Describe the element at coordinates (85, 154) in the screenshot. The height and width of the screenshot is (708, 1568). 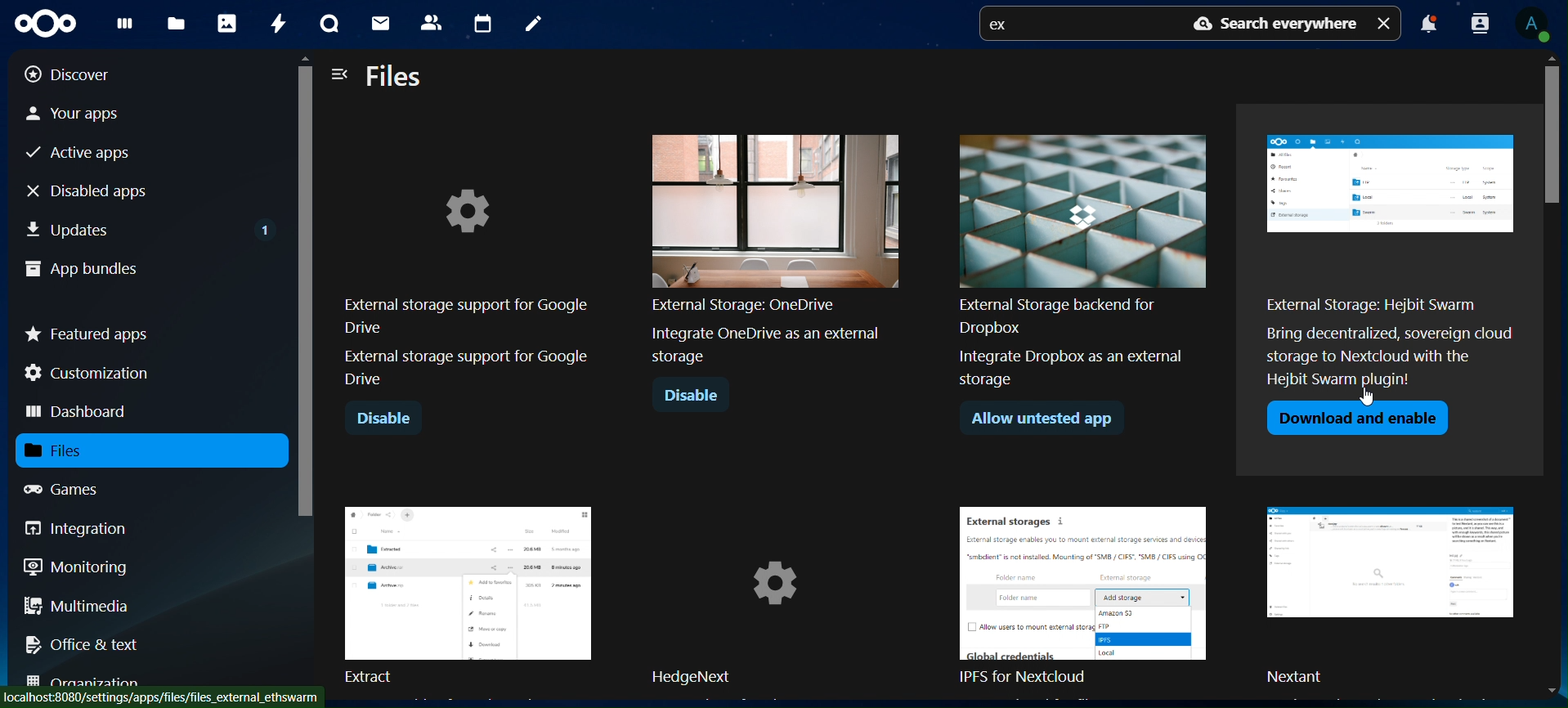
I see `active apps` at that location.